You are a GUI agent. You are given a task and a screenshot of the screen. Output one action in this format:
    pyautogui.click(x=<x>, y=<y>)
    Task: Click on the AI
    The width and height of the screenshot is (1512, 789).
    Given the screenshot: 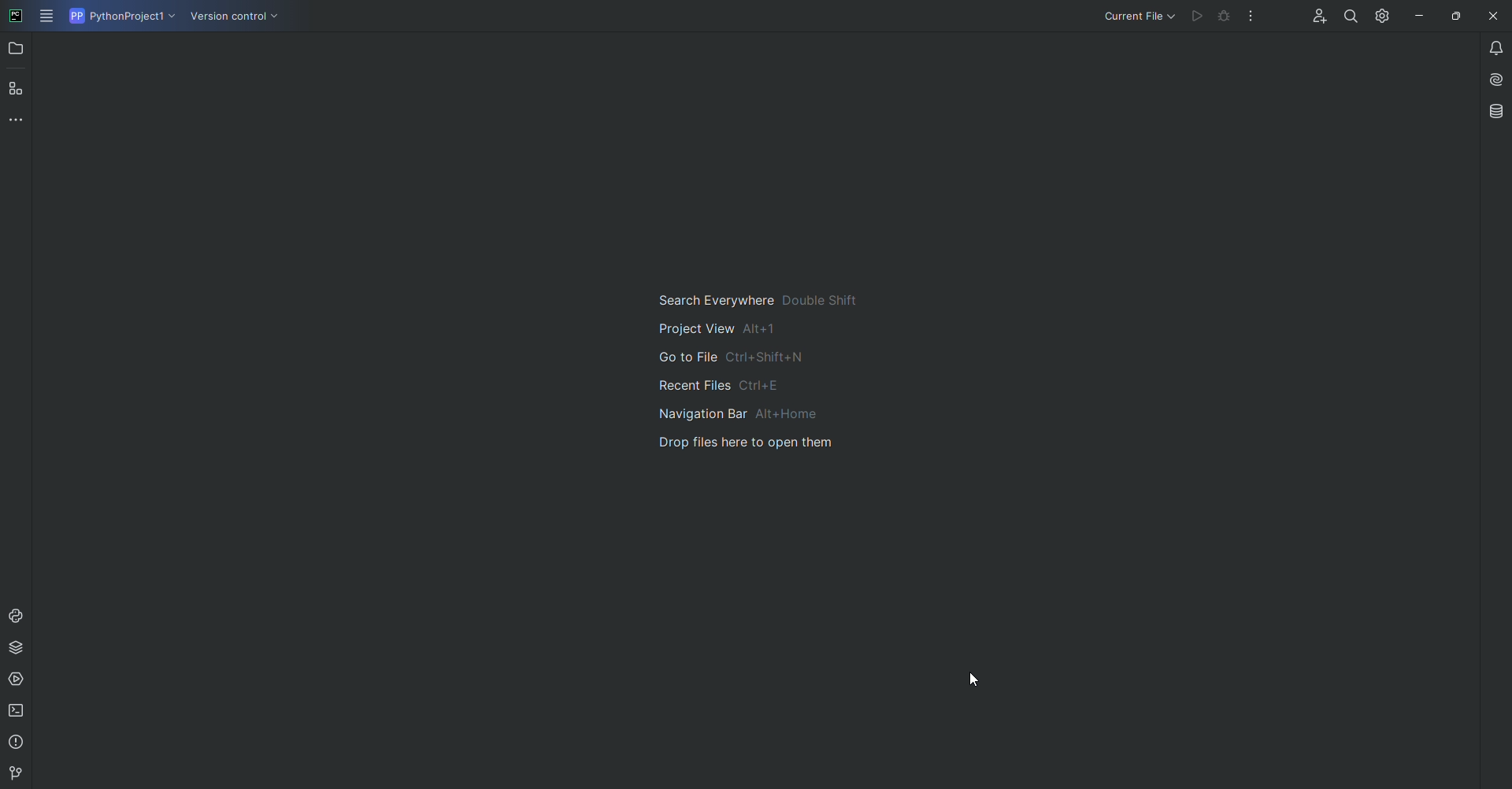 What is the action you would take?
    pyautogui.click(x=1491, y=78)
    